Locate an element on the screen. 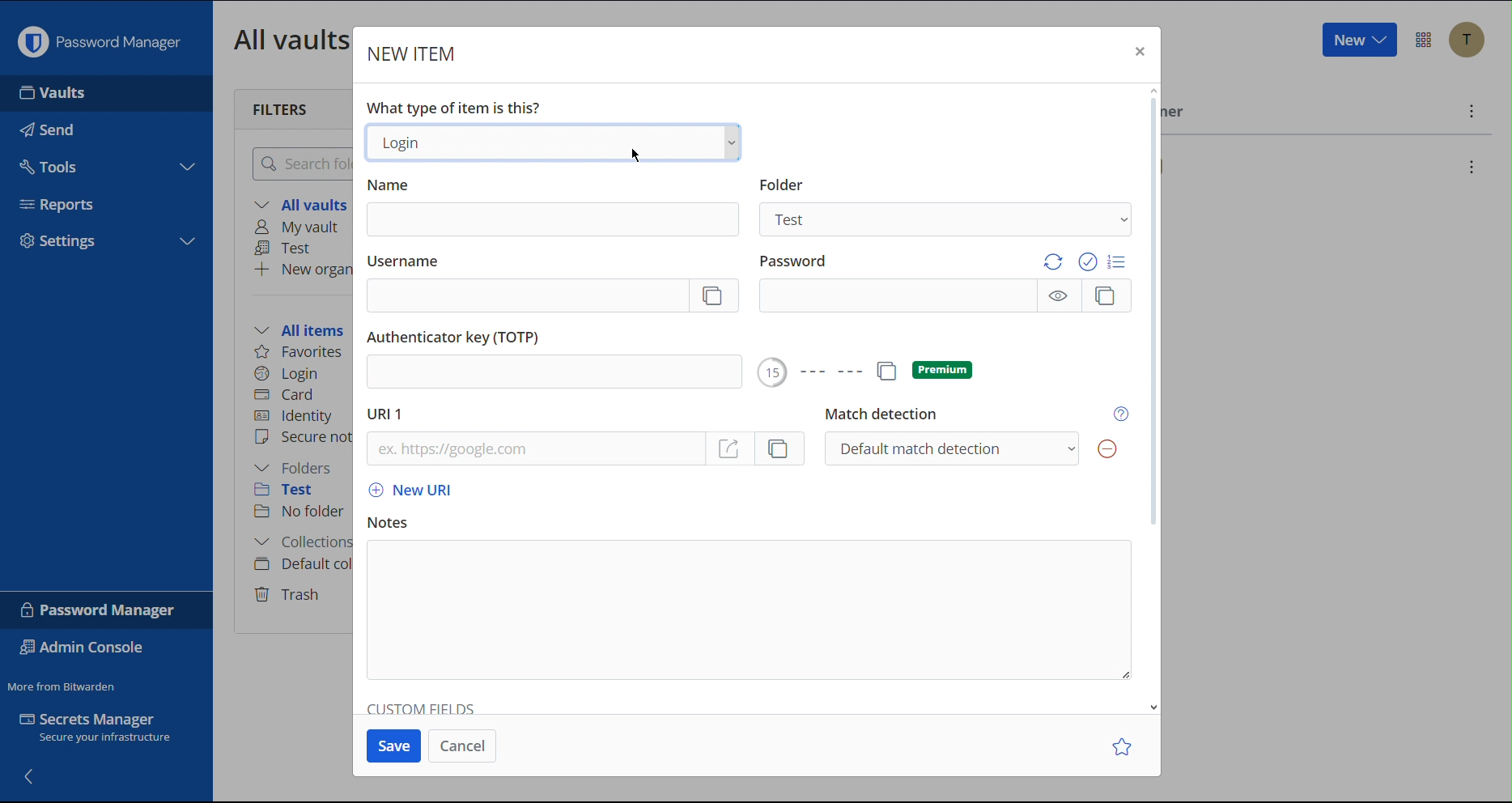  Login is located at coordinates (554, 145).